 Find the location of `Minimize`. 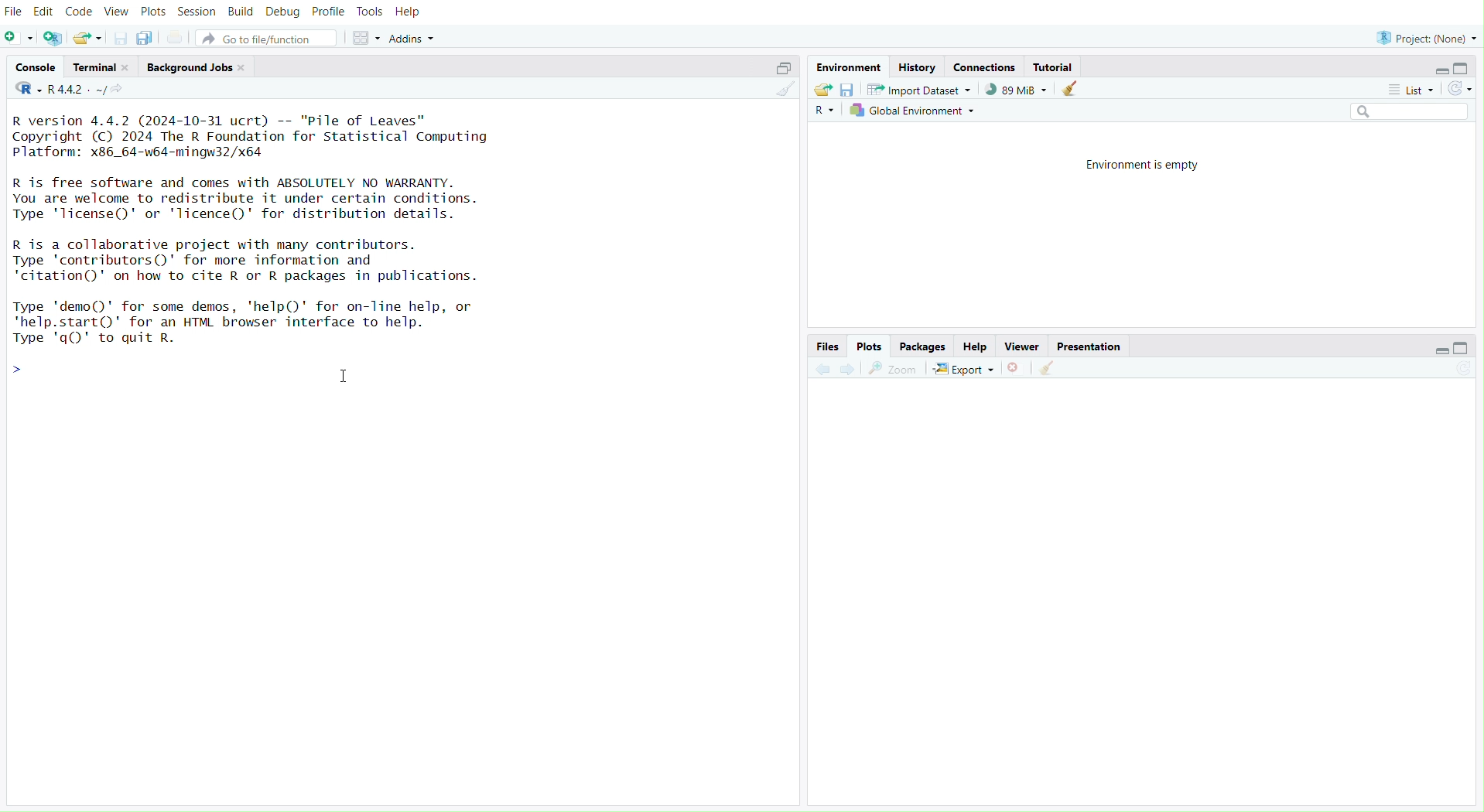

Minimize is located at coordinates (1443, 350).